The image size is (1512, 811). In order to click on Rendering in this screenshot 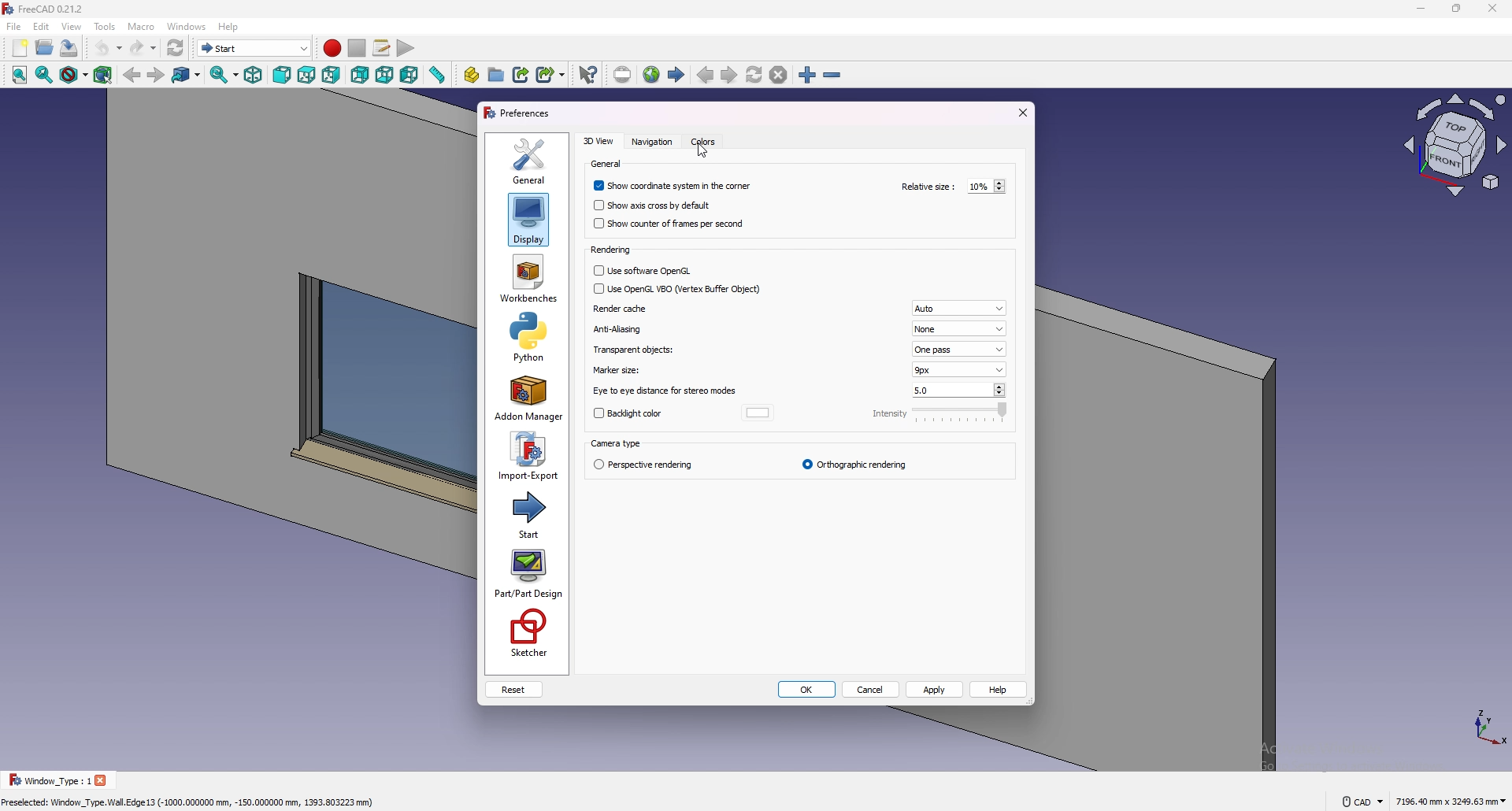, I will do `click(613, 251)`.